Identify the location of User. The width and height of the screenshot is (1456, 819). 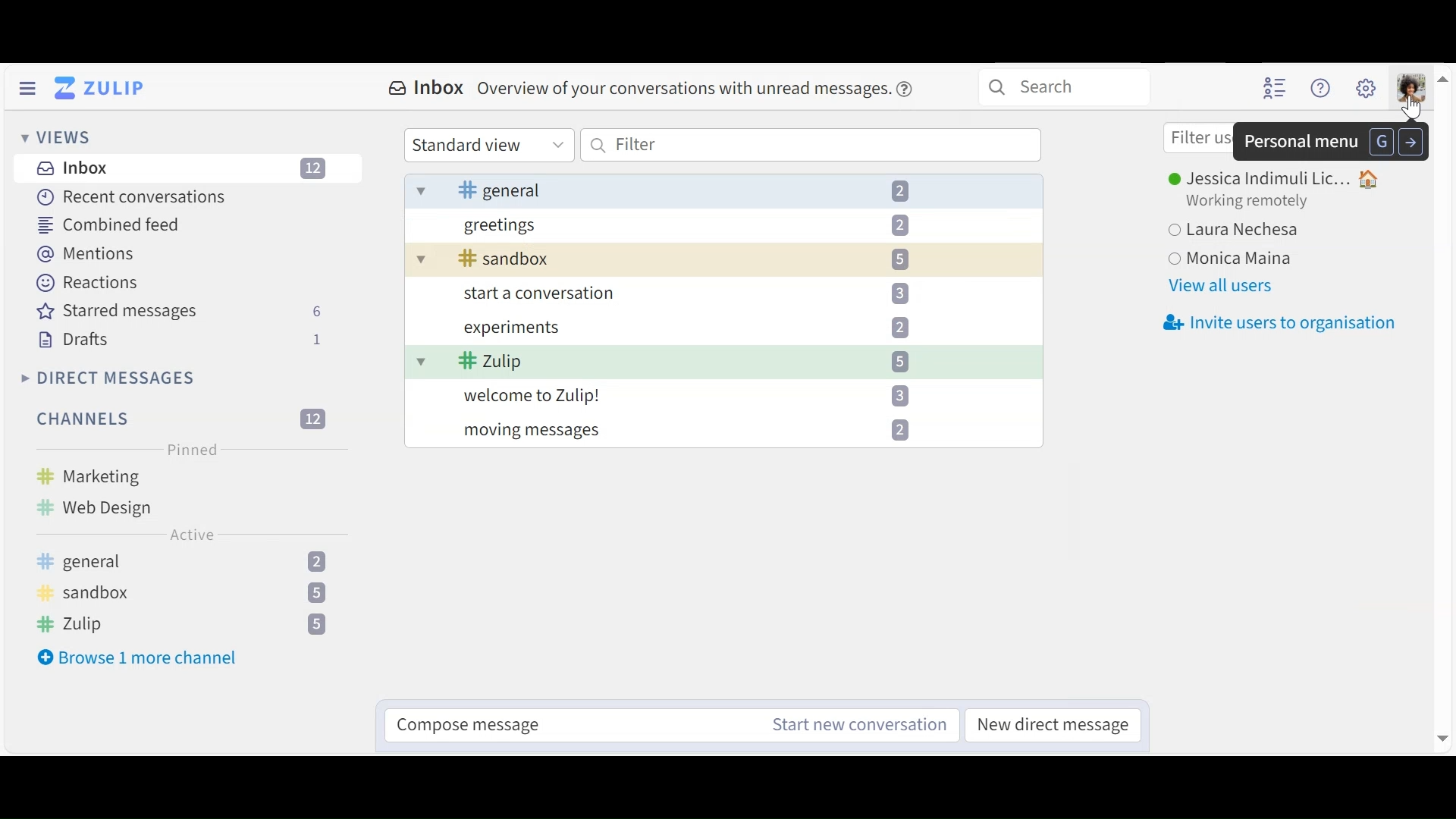
(1278, 179).